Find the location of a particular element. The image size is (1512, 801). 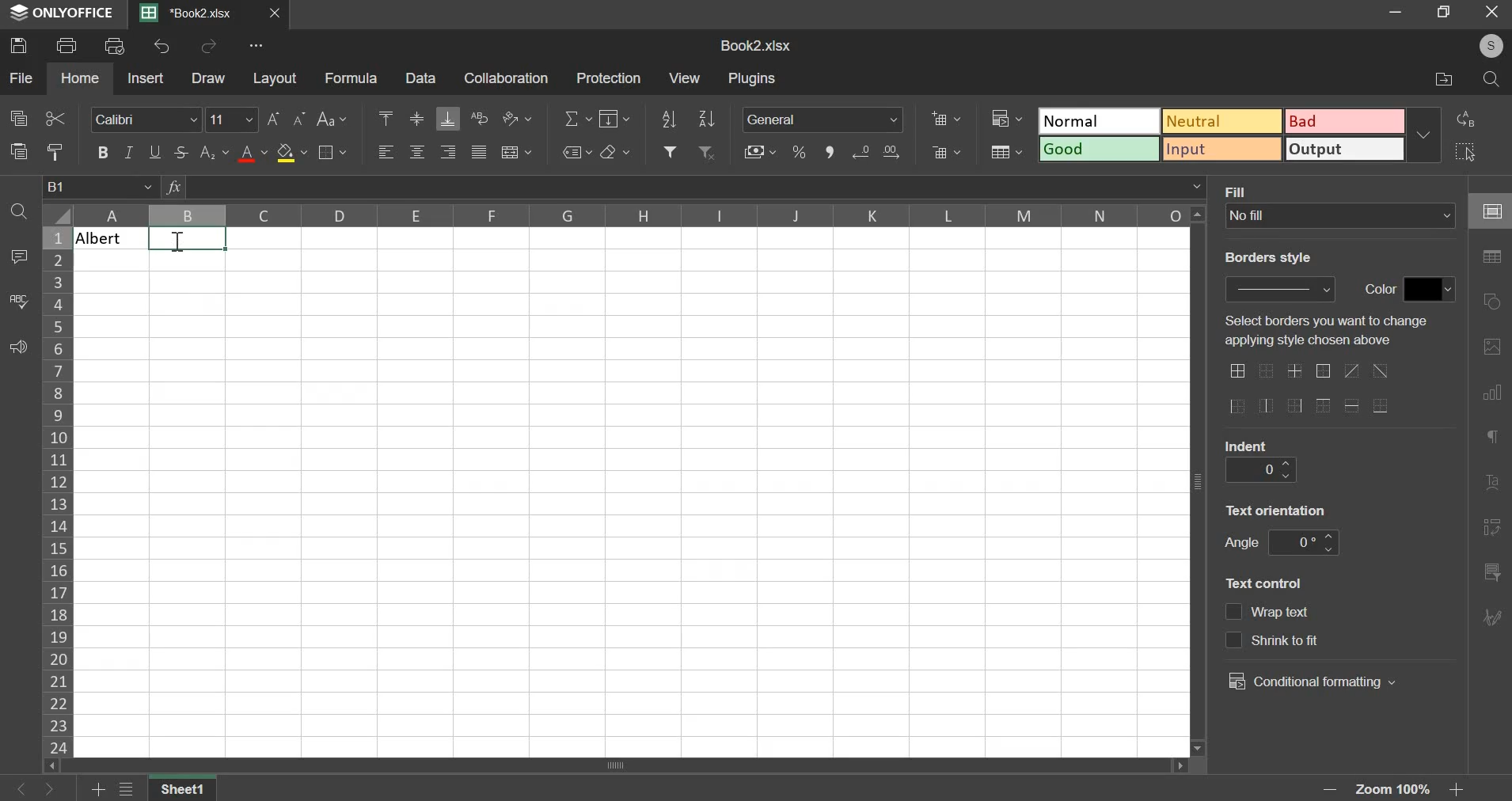

zoom is located at coordinates (1286, 788).